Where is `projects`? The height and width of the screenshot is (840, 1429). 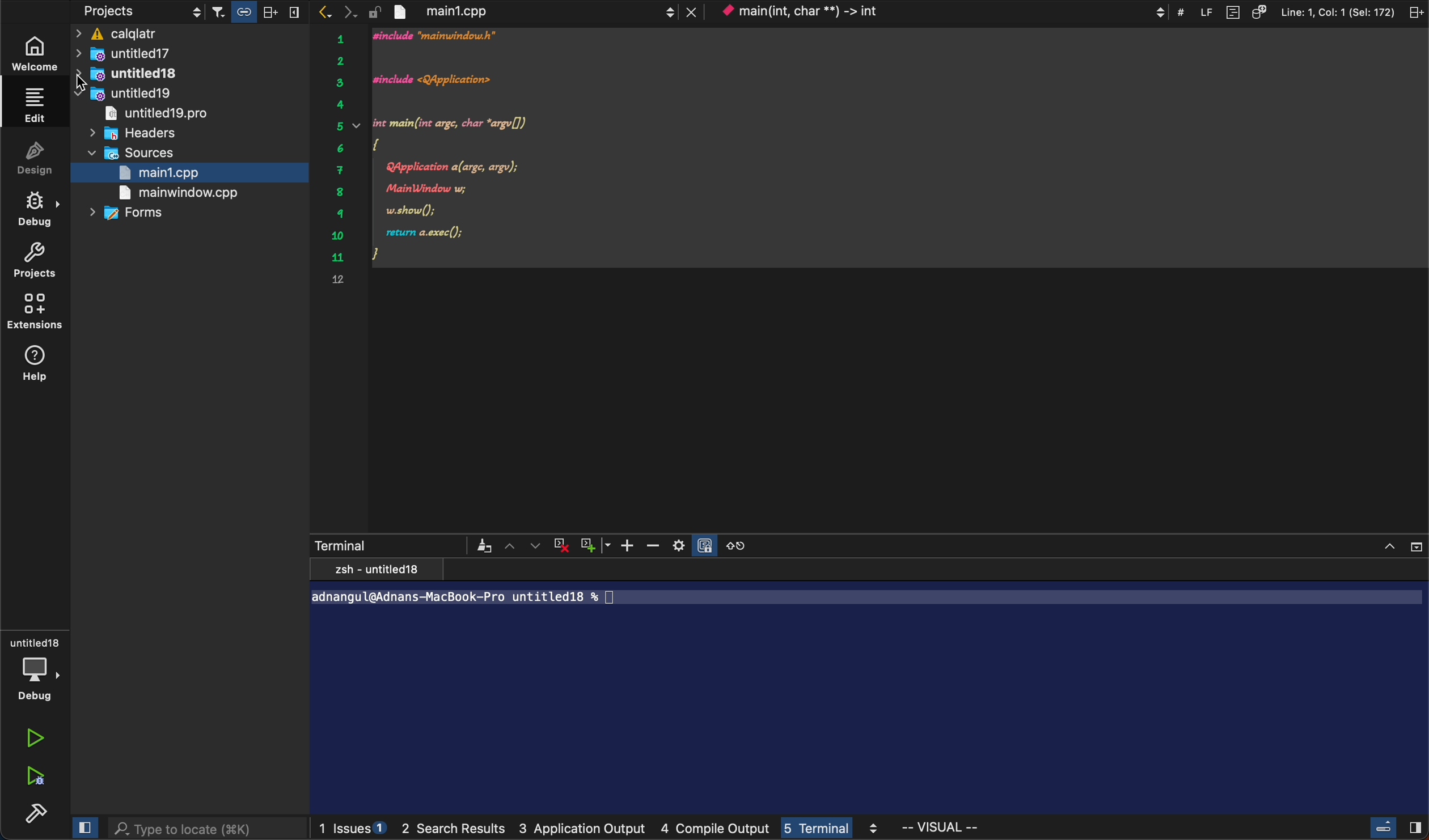
projects is located at coordinates (125, 11).